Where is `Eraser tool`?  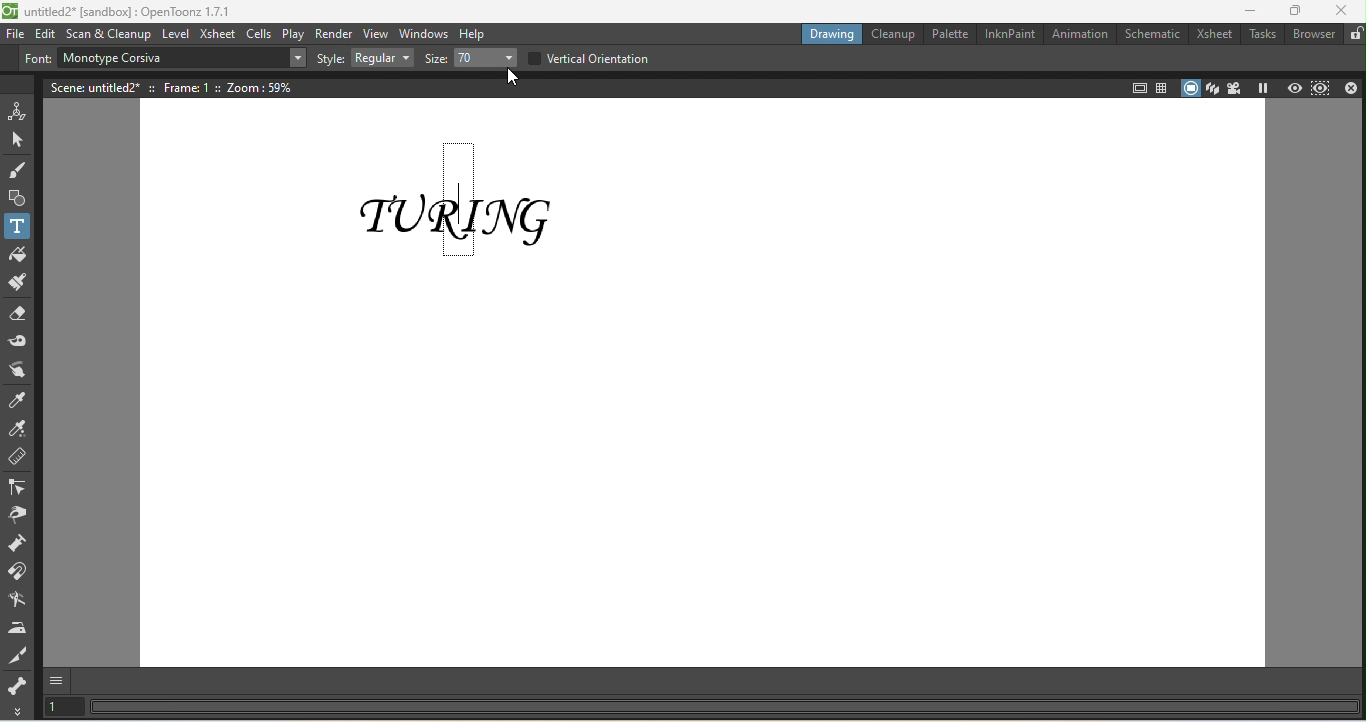 Eraser tool is located at coordinates (19, 311).